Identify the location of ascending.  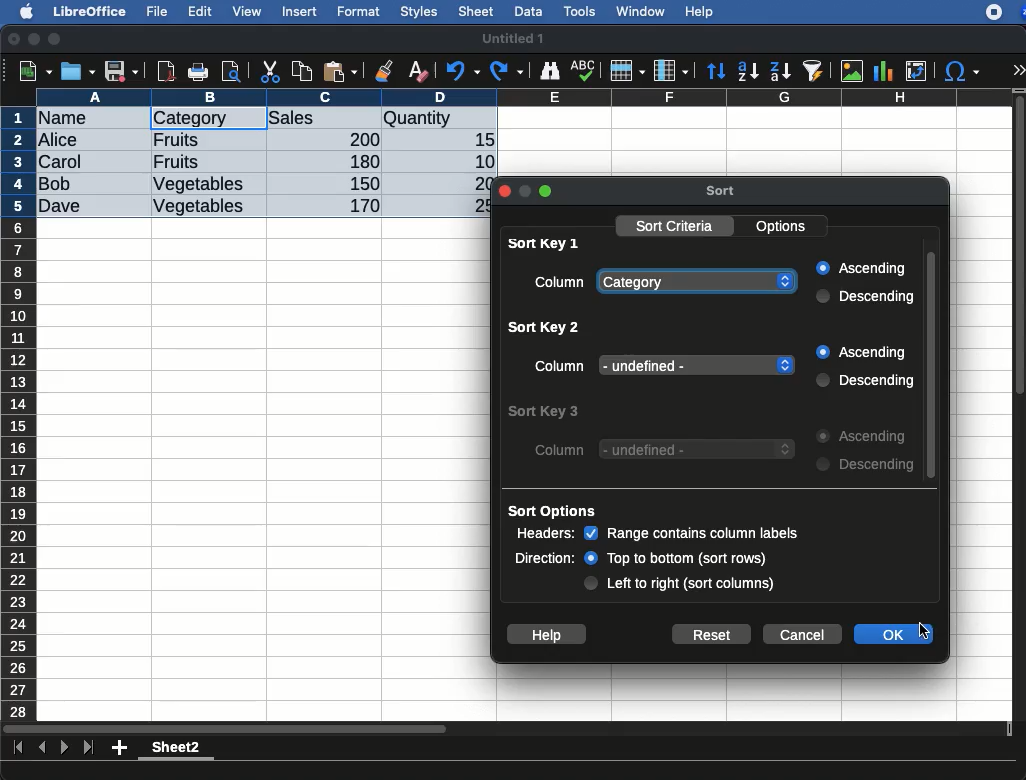
(863, 353).